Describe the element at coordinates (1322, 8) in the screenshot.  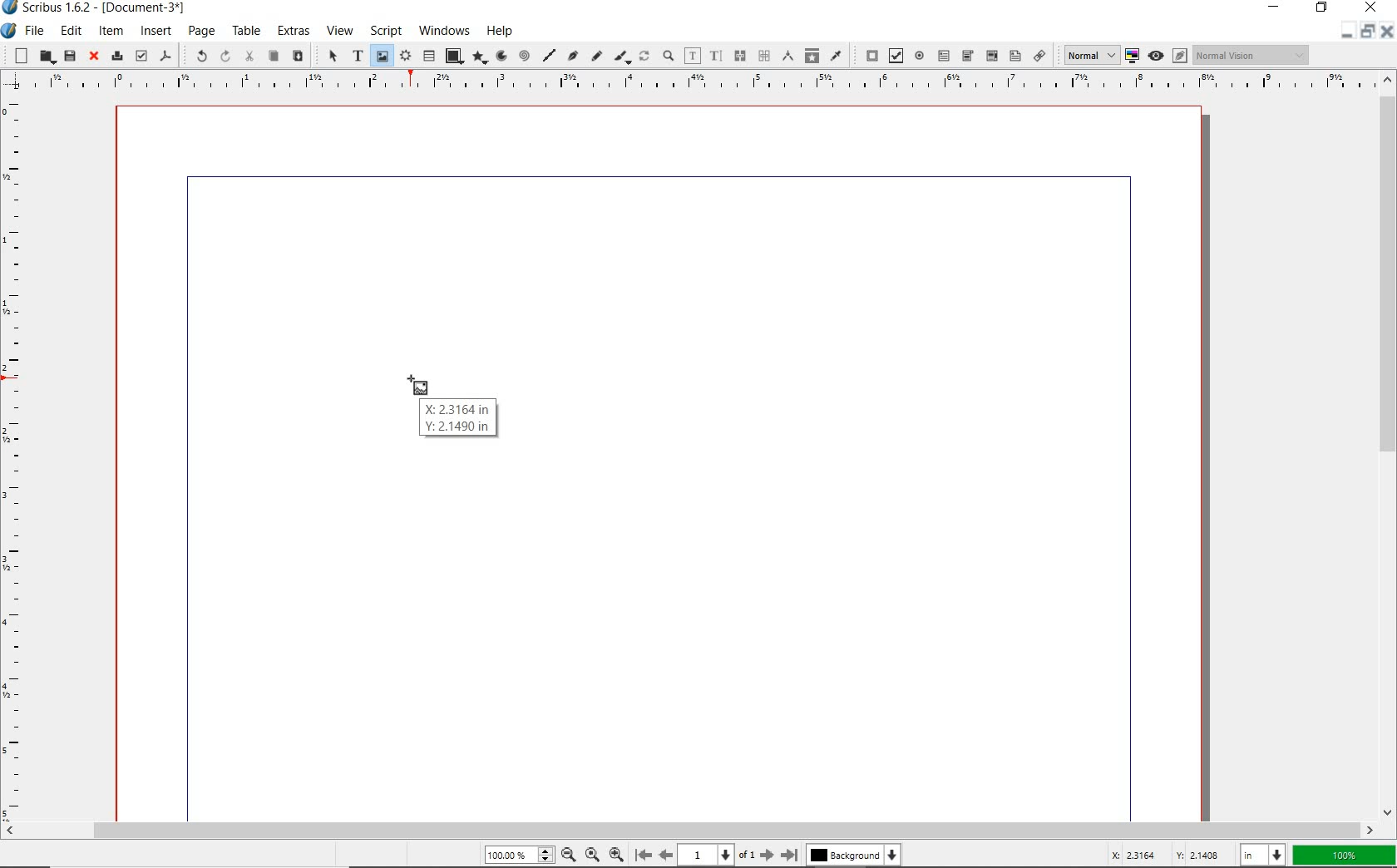
I see `RESTORE` at that location.